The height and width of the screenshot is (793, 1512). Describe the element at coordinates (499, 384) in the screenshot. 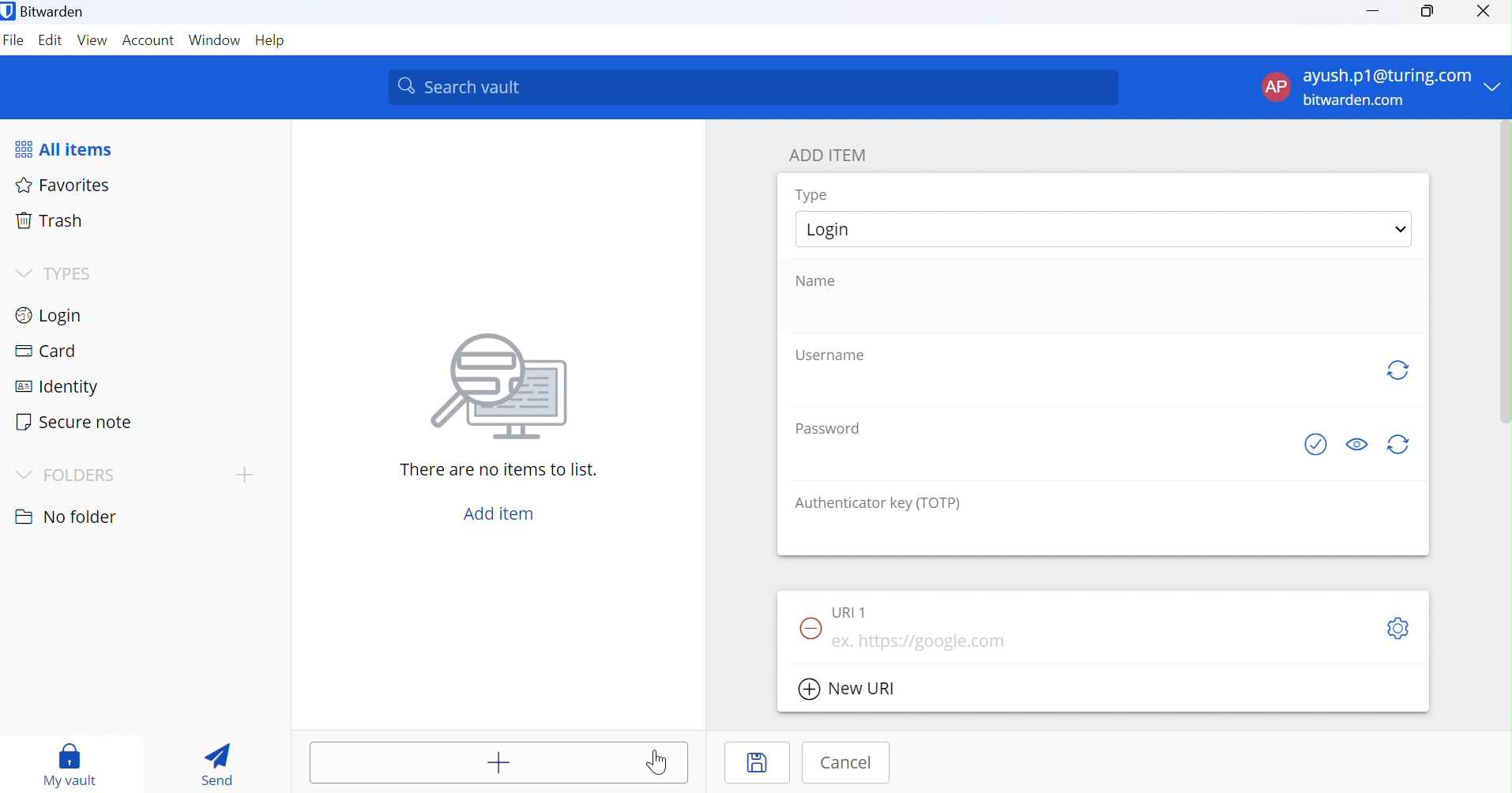

I see `icon` at that location.